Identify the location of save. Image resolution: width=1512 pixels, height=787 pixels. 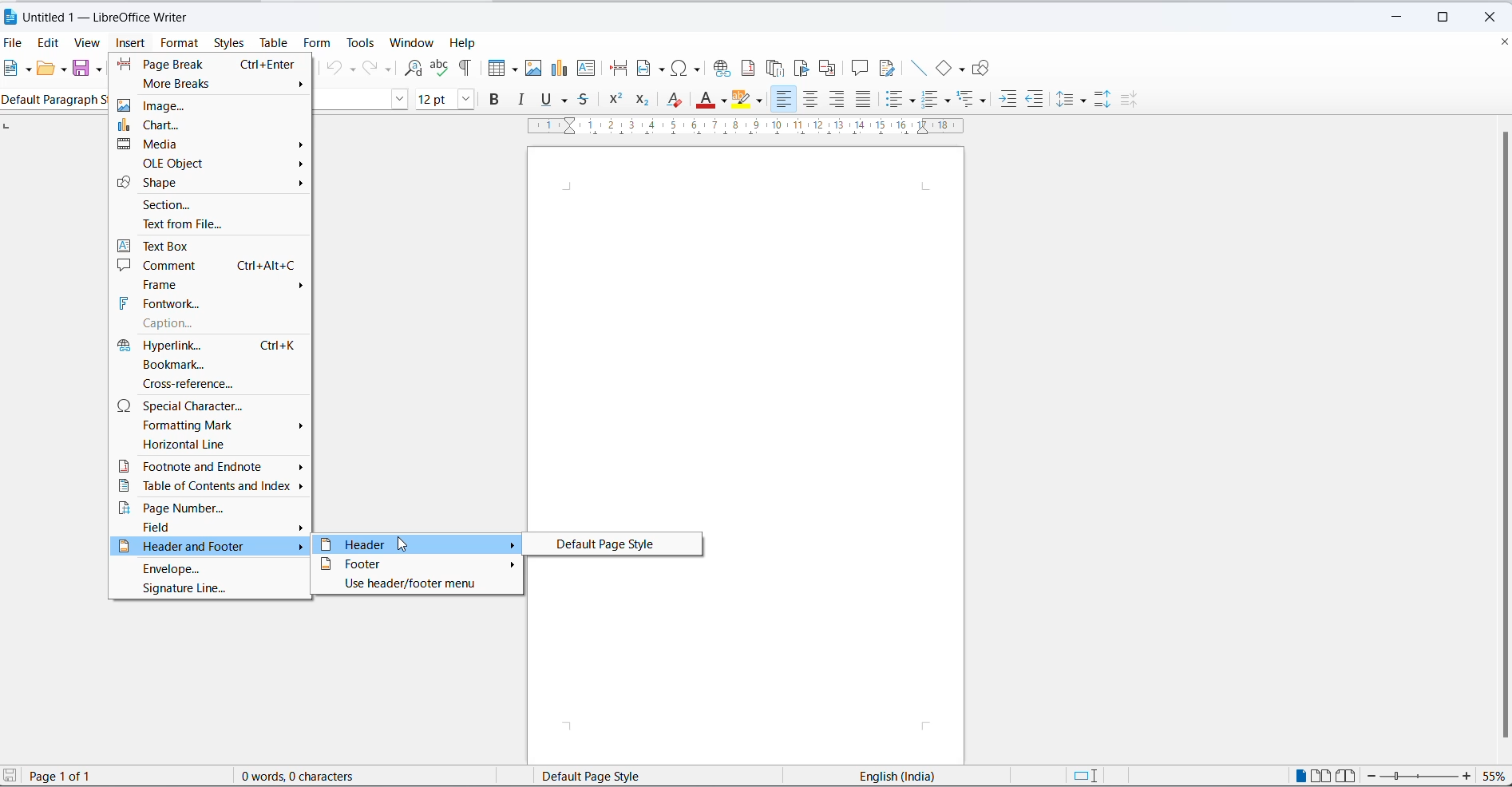
(10, 774).